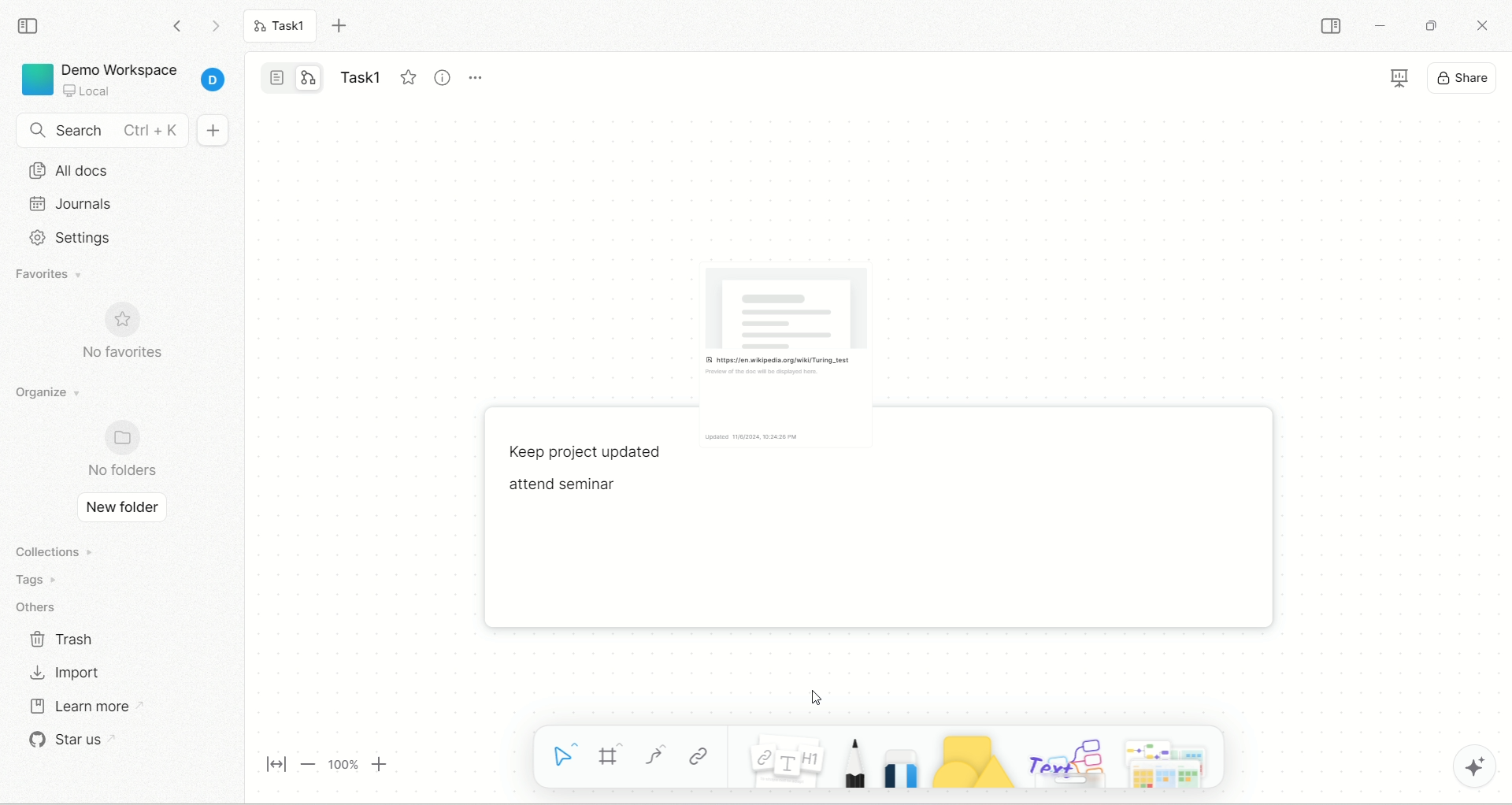  What do you see at coordinates (42, 604) in the screenshot?
I see `others` at bounding box center [42, 604].